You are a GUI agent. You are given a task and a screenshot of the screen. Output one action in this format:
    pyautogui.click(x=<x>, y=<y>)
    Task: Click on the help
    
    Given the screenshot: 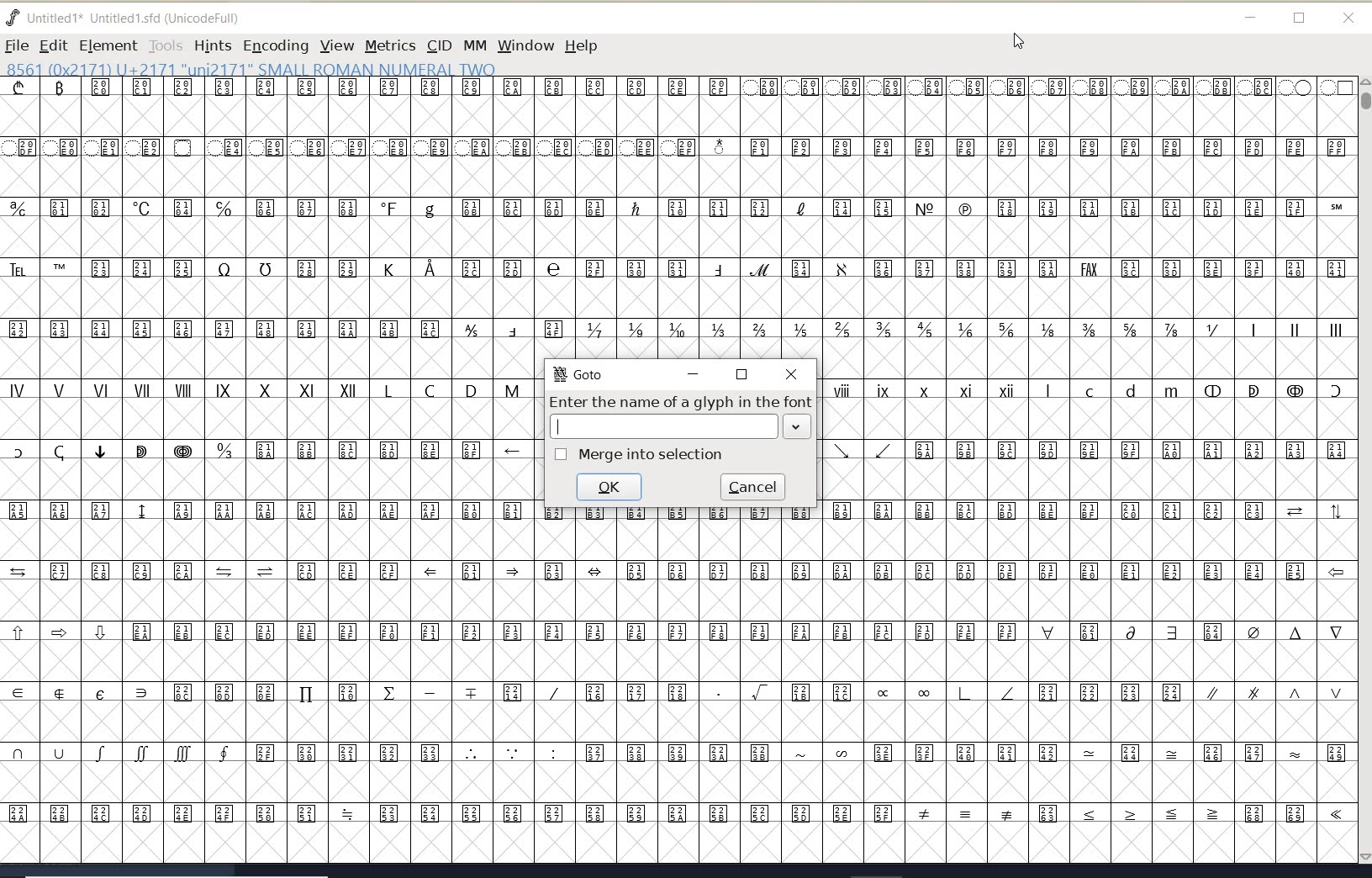 What is the action you would take?
    pyautogui.click(x=584, y=47)
    